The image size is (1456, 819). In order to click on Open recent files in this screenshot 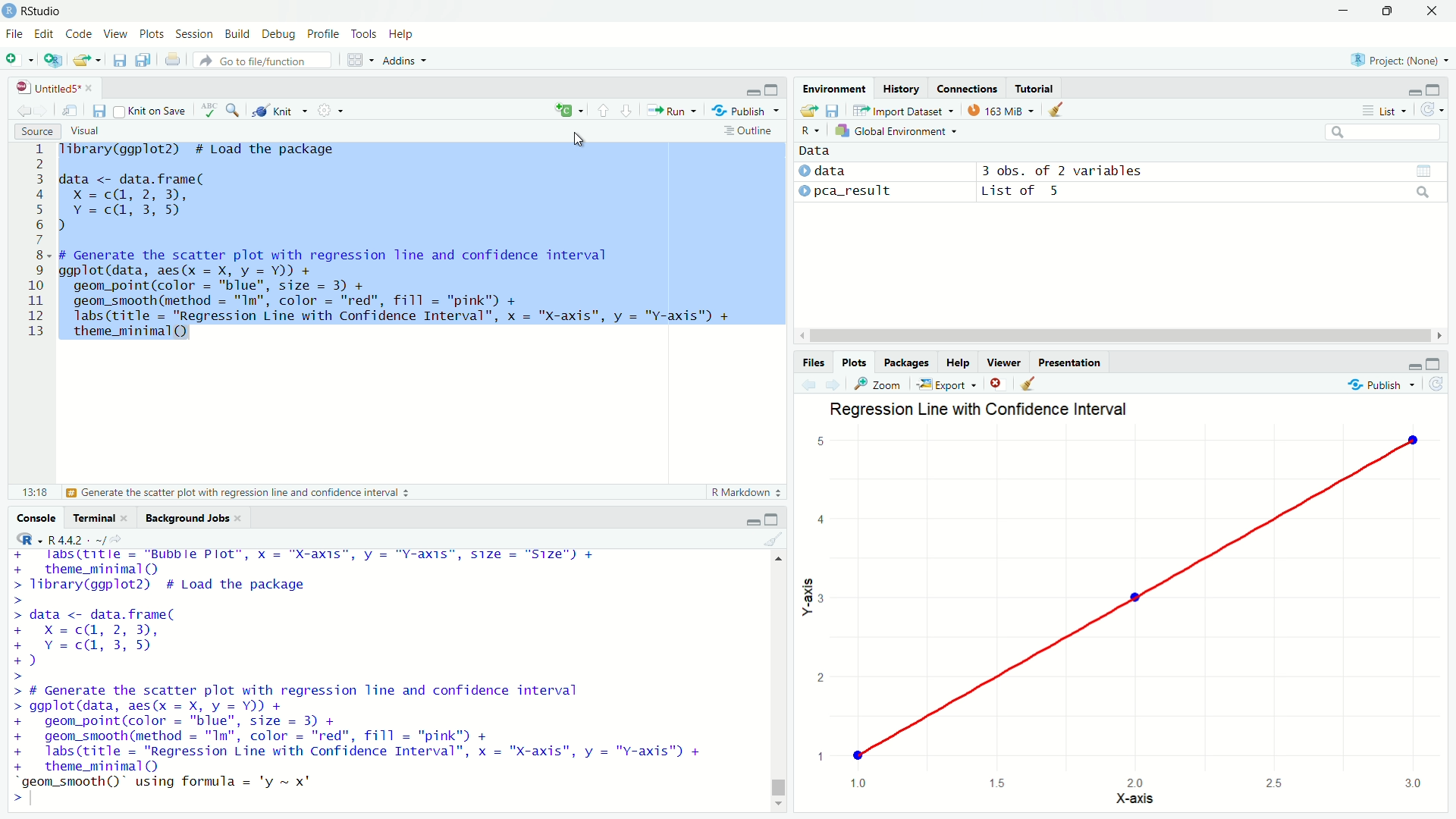, I will do `click(96, 60)`.